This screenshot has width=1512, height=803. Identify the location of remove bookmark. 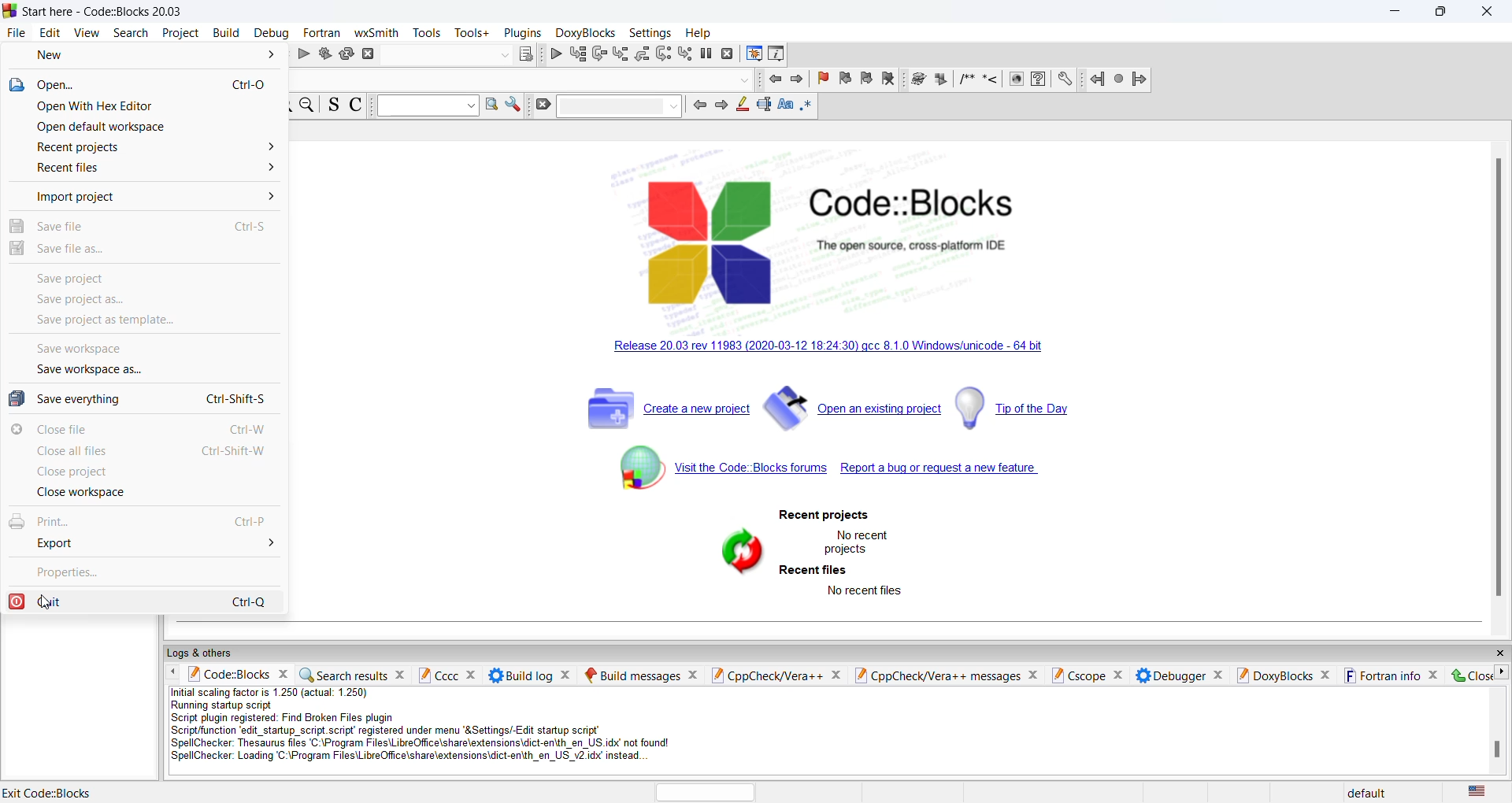
(820, 80).